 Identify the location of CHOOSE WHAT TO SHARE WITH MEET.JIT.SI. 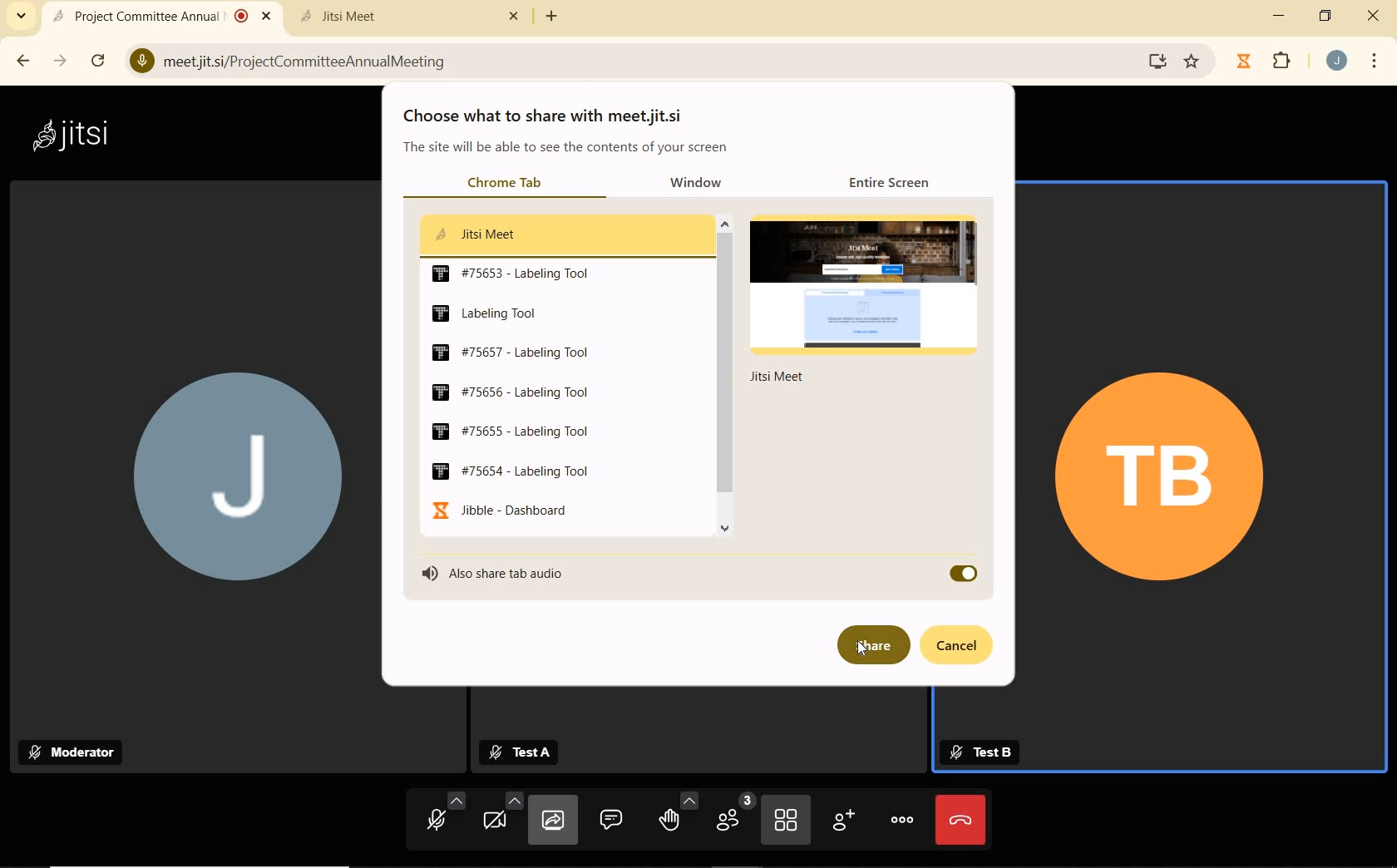
(552, 116).